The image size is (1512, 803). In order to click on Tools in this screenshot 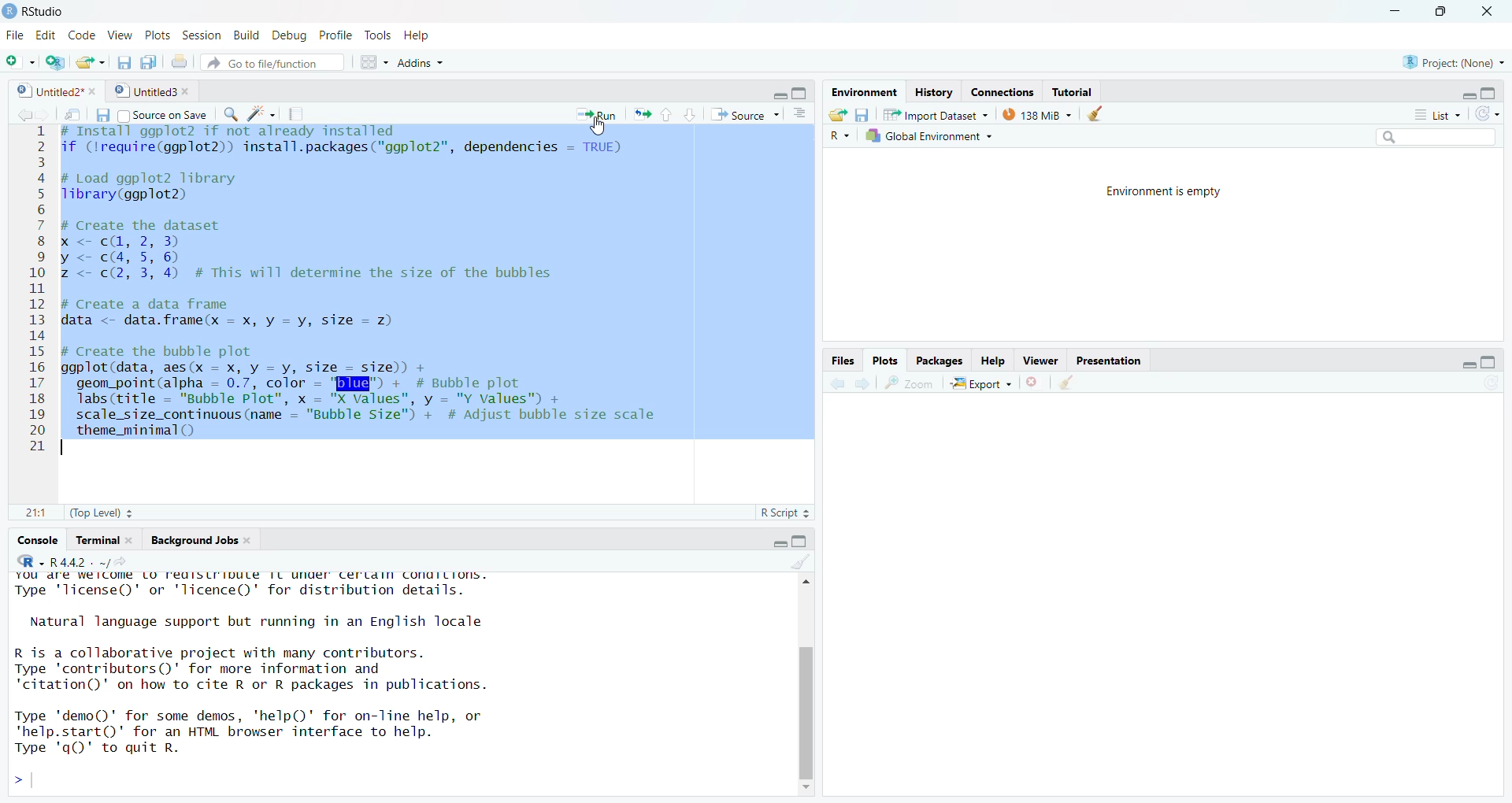, I will do `click(375, 35)`.